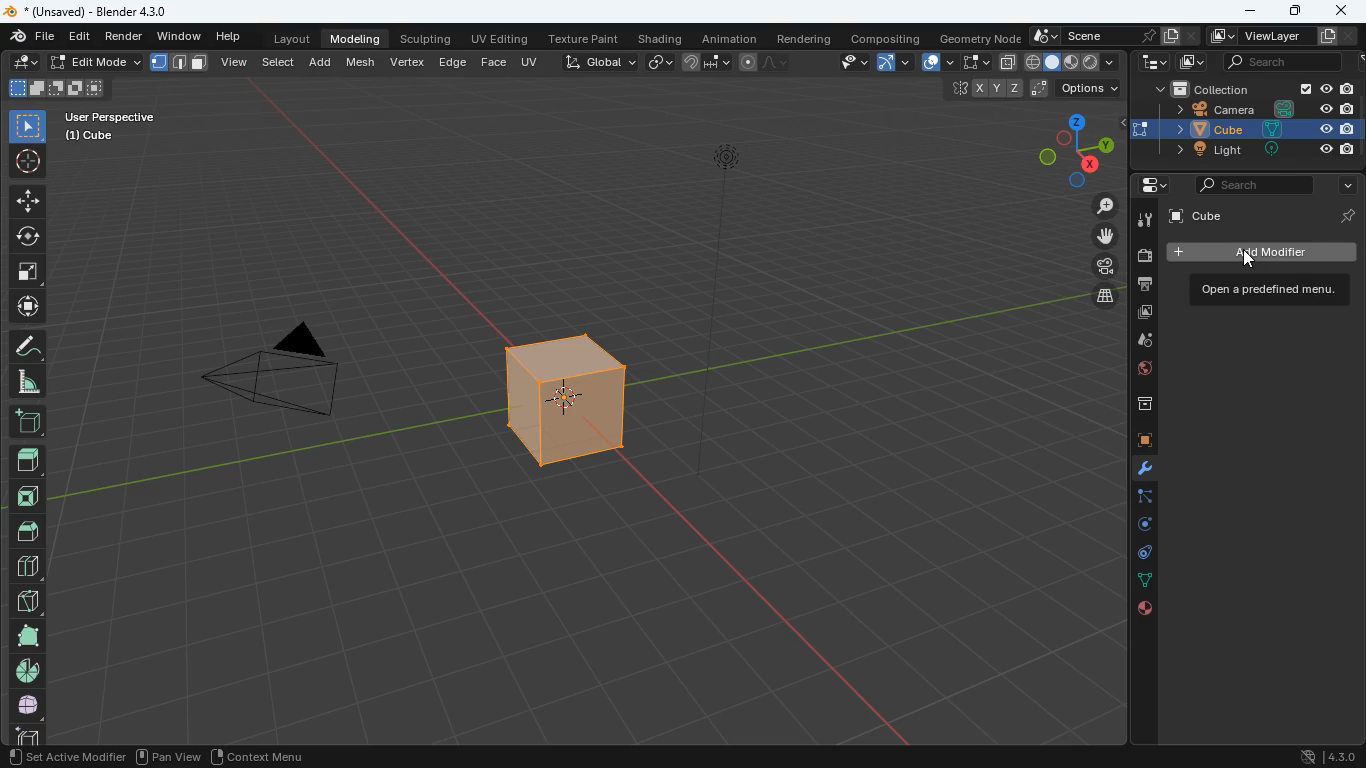  I want to click on maximize, so click(1296, 11).